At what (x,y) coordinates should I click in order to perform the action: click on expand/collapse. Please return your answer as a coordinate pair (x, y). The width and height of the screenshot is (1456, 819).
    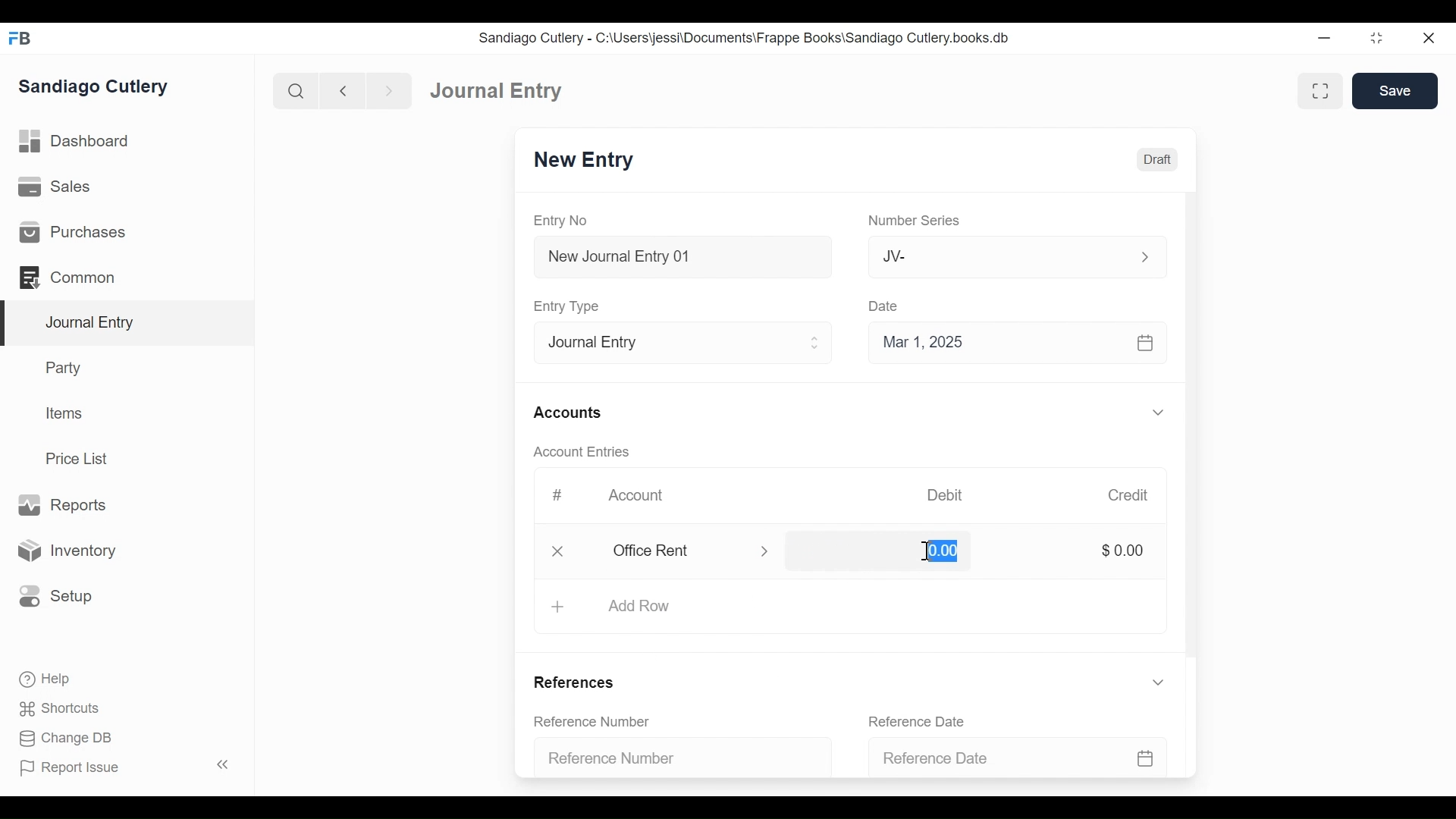
    Looking at the image, I should click on (1157, 682).